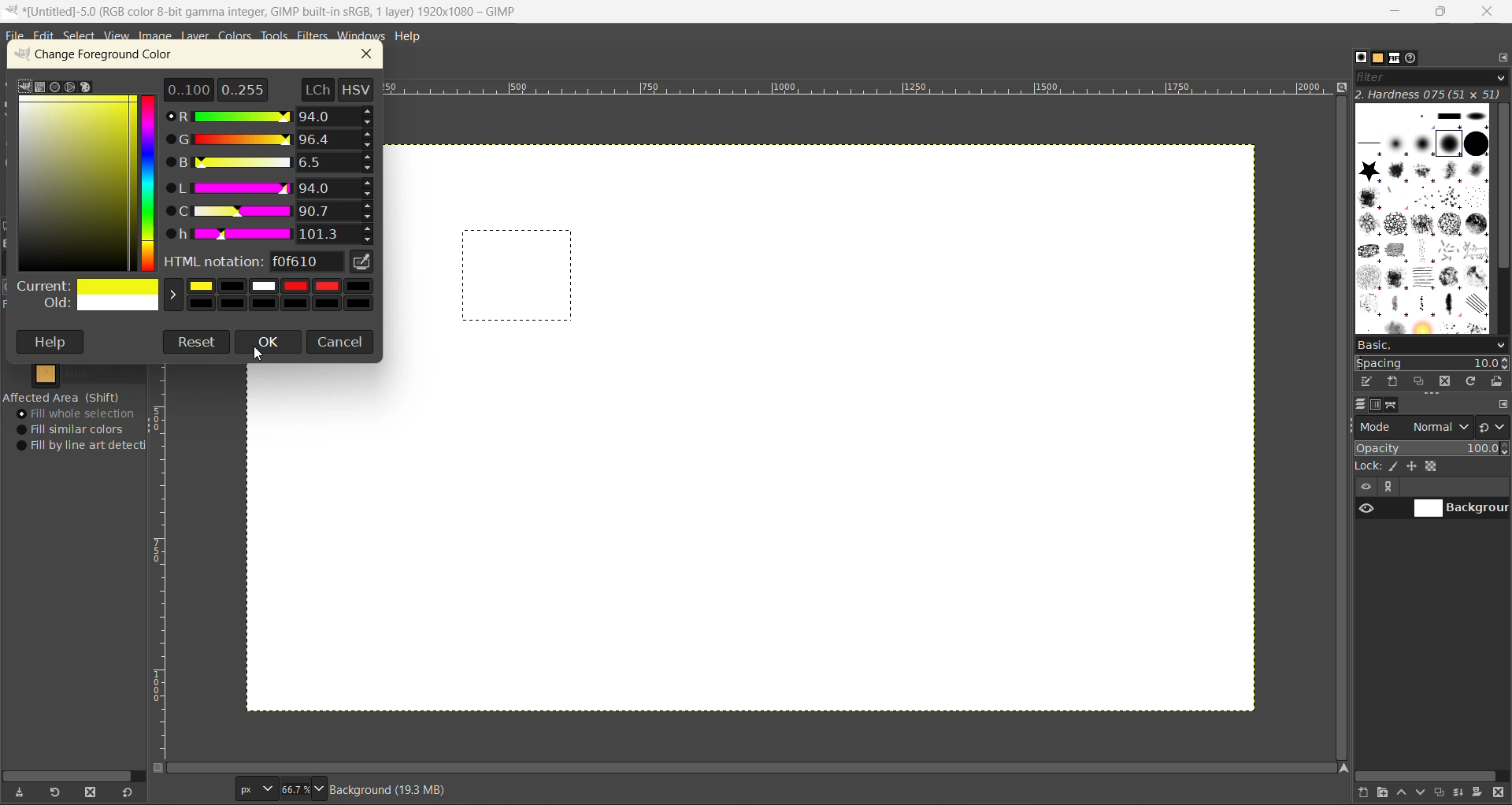 This screenshot has height=805, width=1512. What do you see at coordinates (92, 377) in the screenshot?
I see `pattern` at bounding box center [92, 377].